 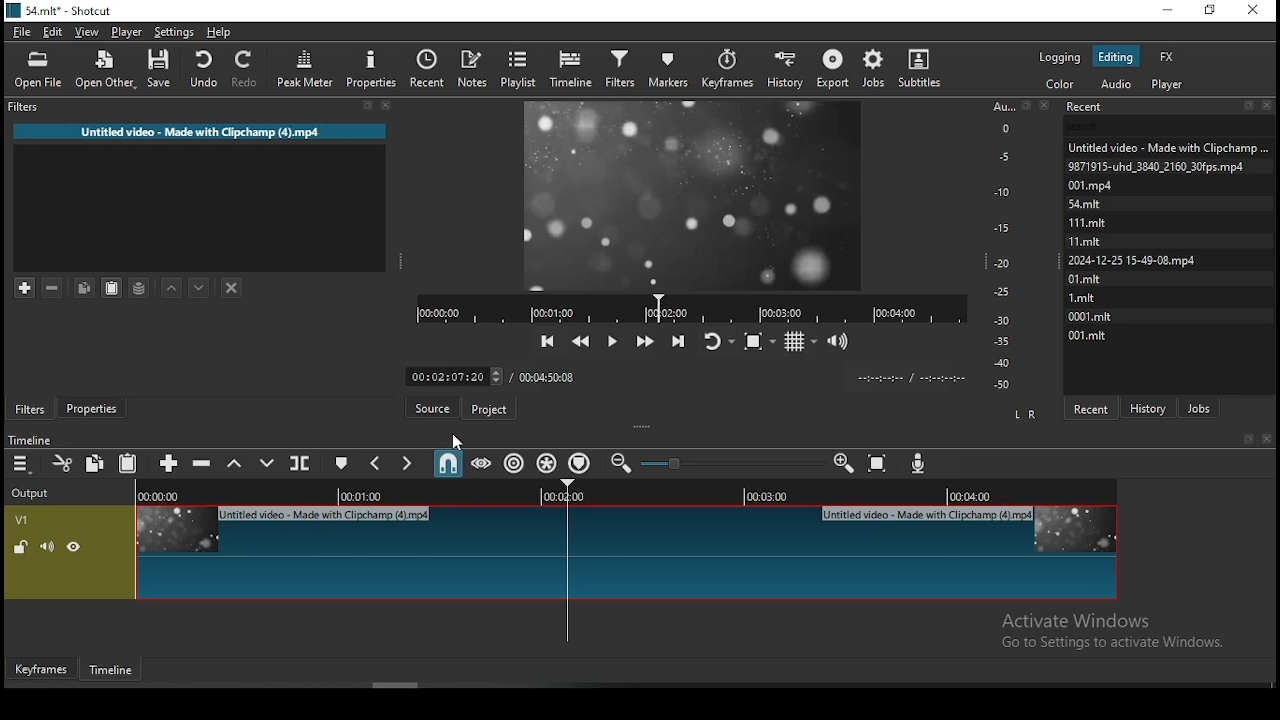 I want to click on remove selected filters, so click(x=52, y=284).